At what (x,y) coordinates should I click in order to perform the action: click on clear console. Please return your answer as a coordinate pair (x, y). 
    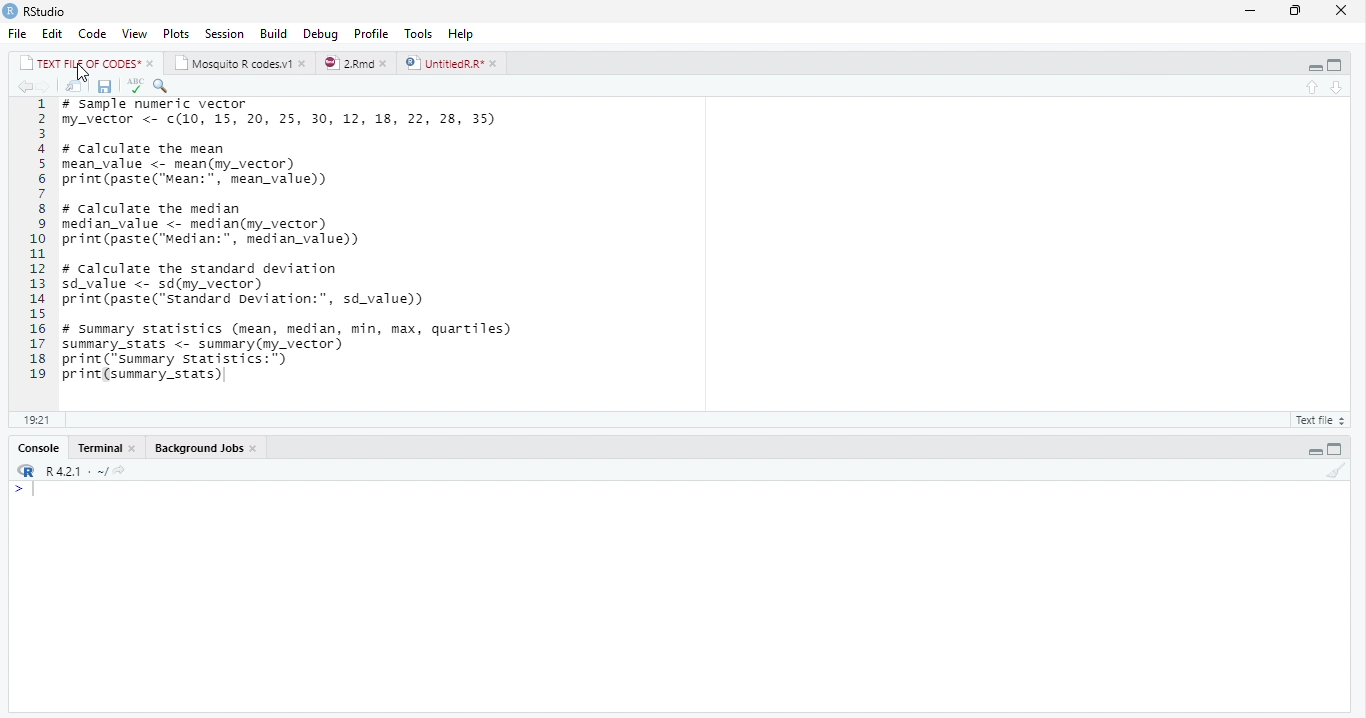
    Looking at the image, I should click on (1336, 471).